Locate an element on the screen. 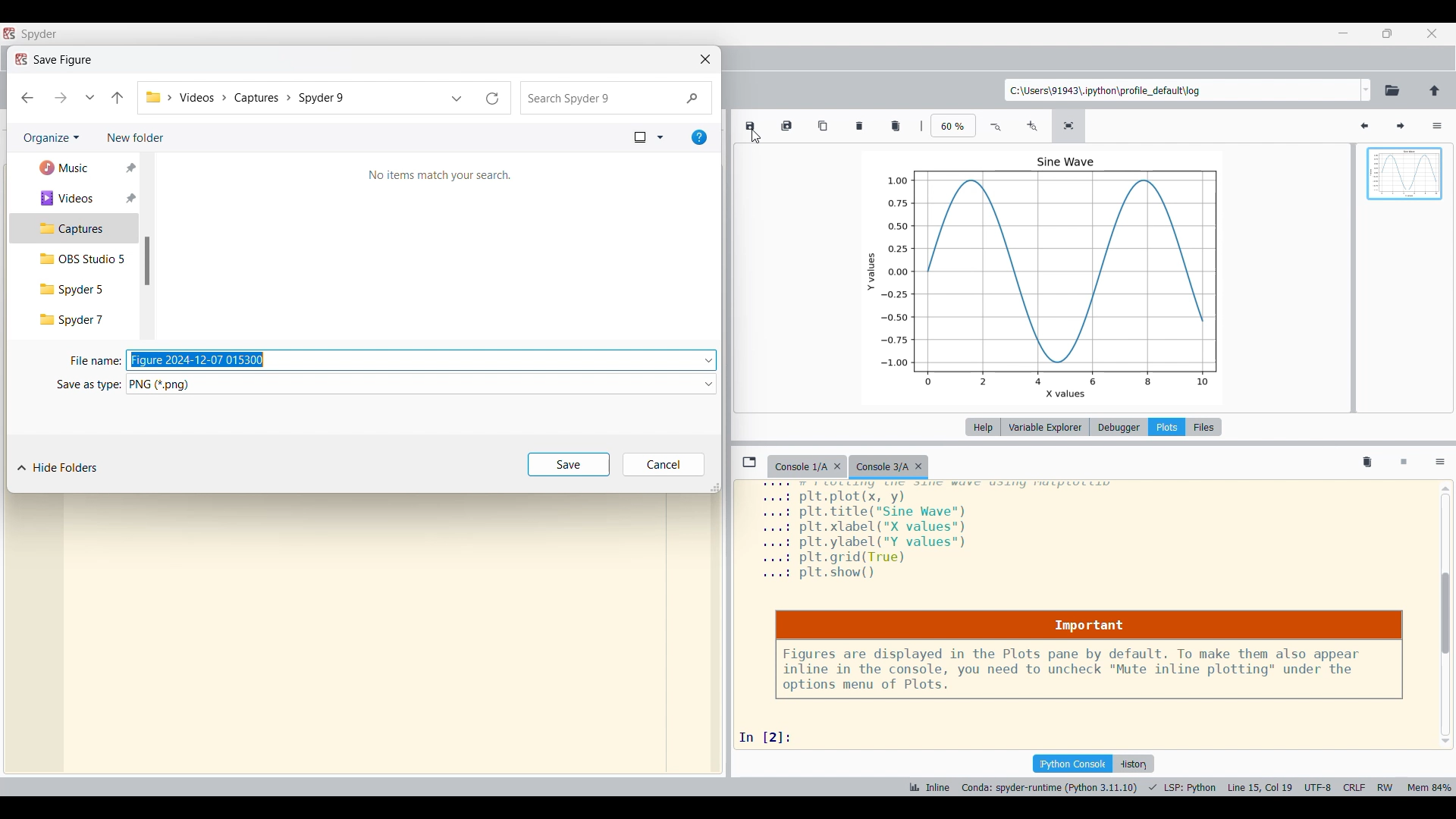  Current pathway is located at coordinates (290, 97).